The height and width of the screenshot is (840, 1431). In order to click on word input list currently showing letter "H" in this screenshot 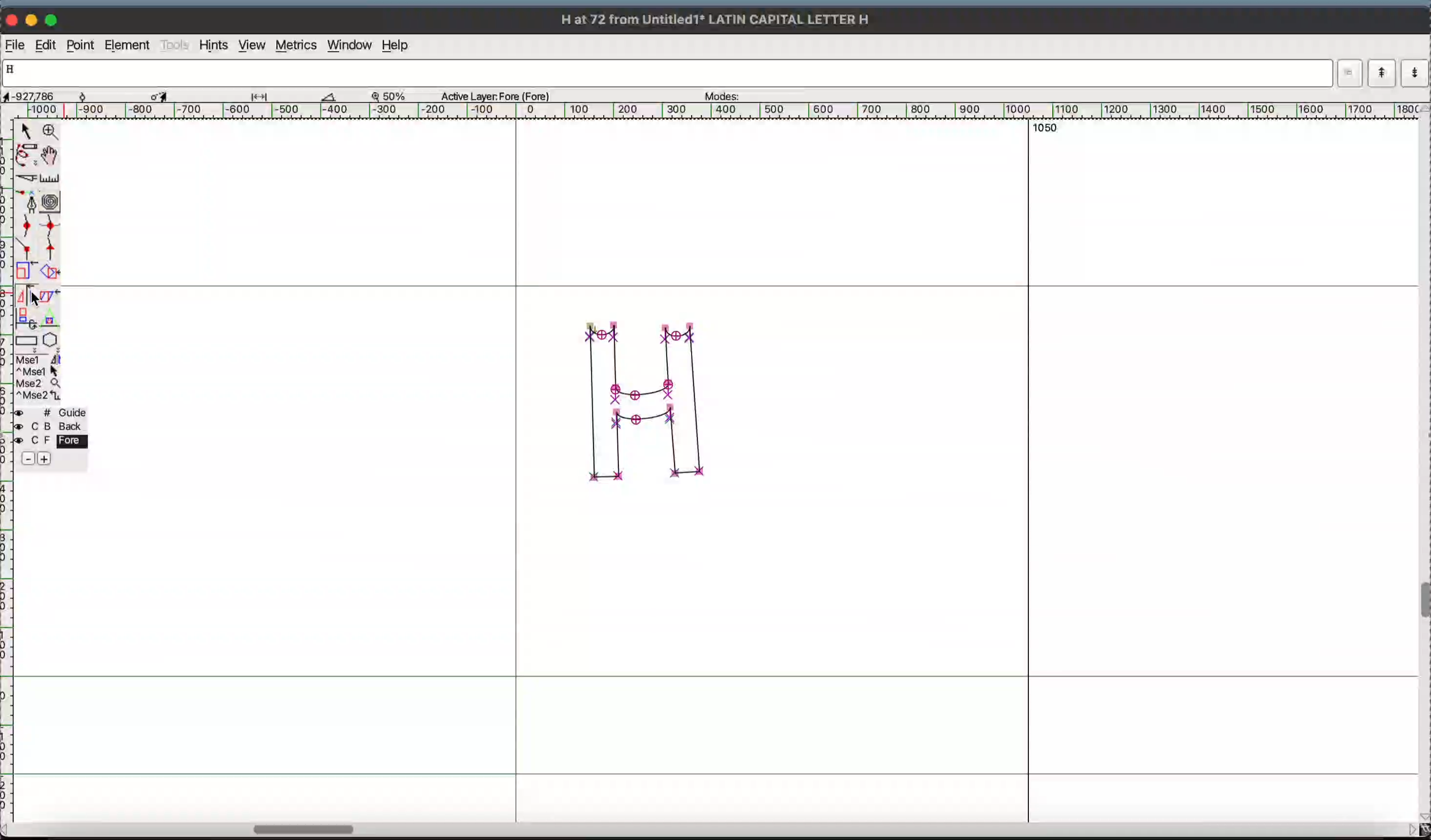, I will do `click(667, 72)`.